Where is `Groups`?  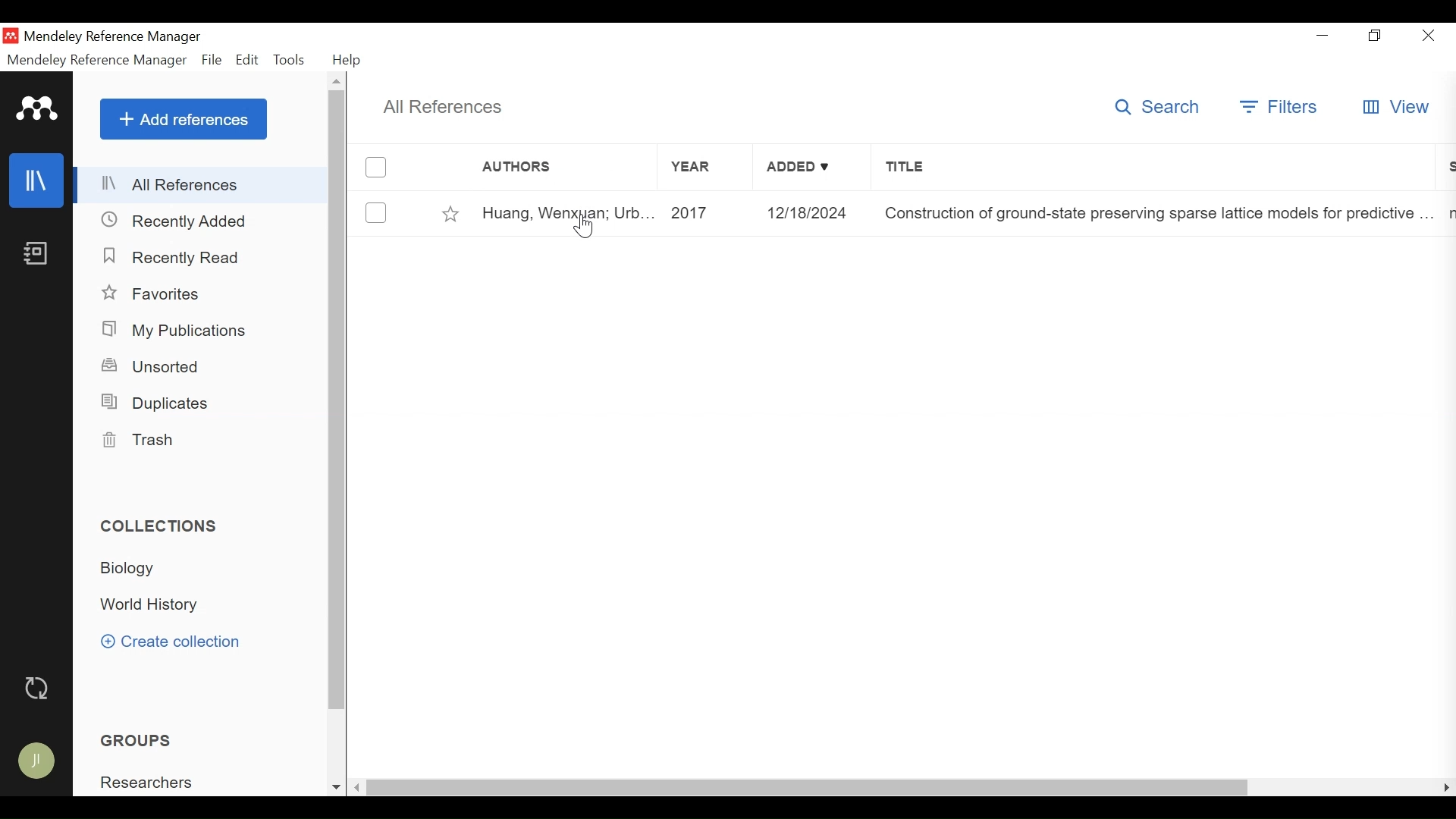 Groups is located at coordinates (136, 740).